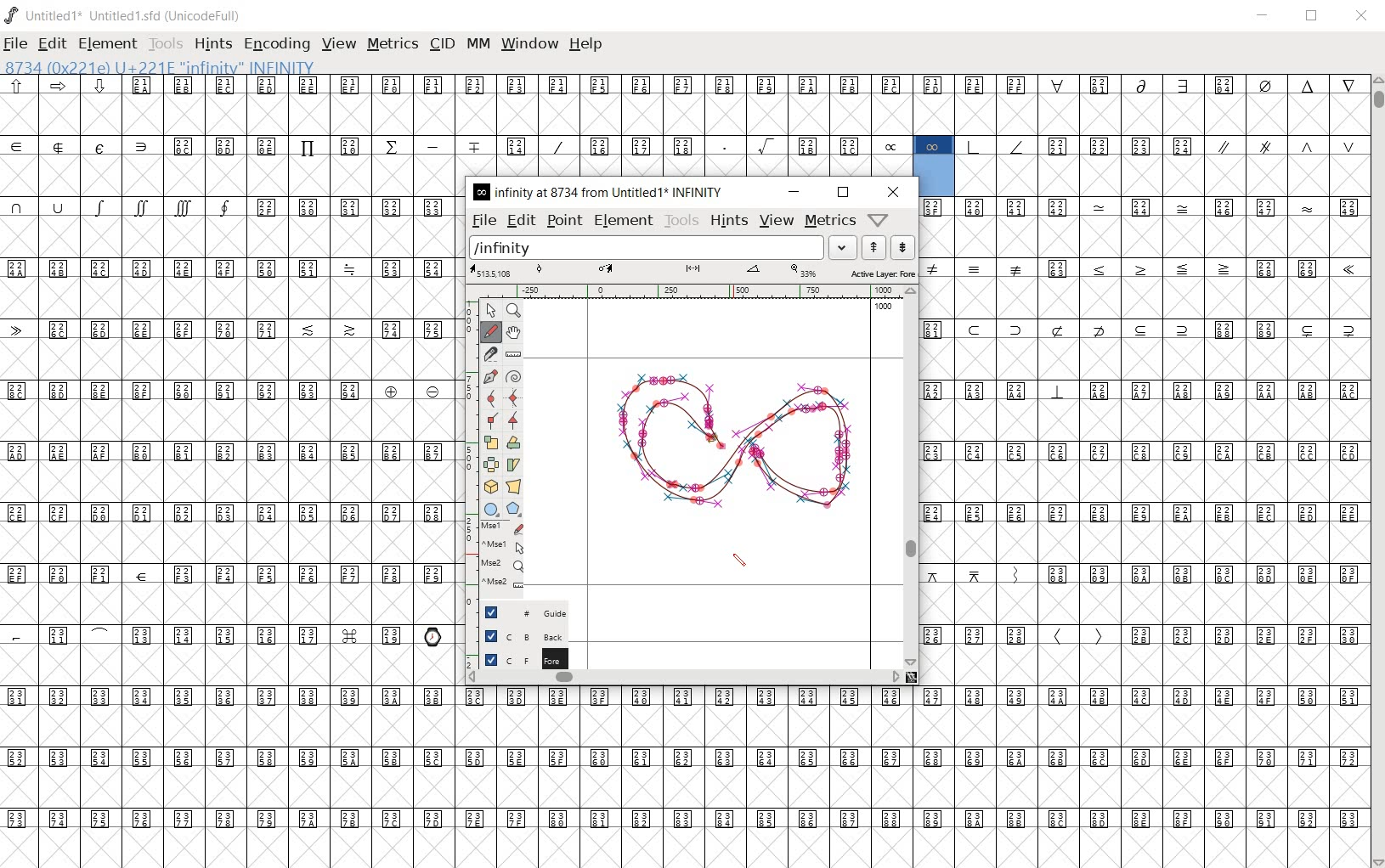 The height and width of the screenshot is (868, 1385). What do you see at coordinates (691, 291) in the screenshot?
I see `ruler` at bounding box center [691, 291].